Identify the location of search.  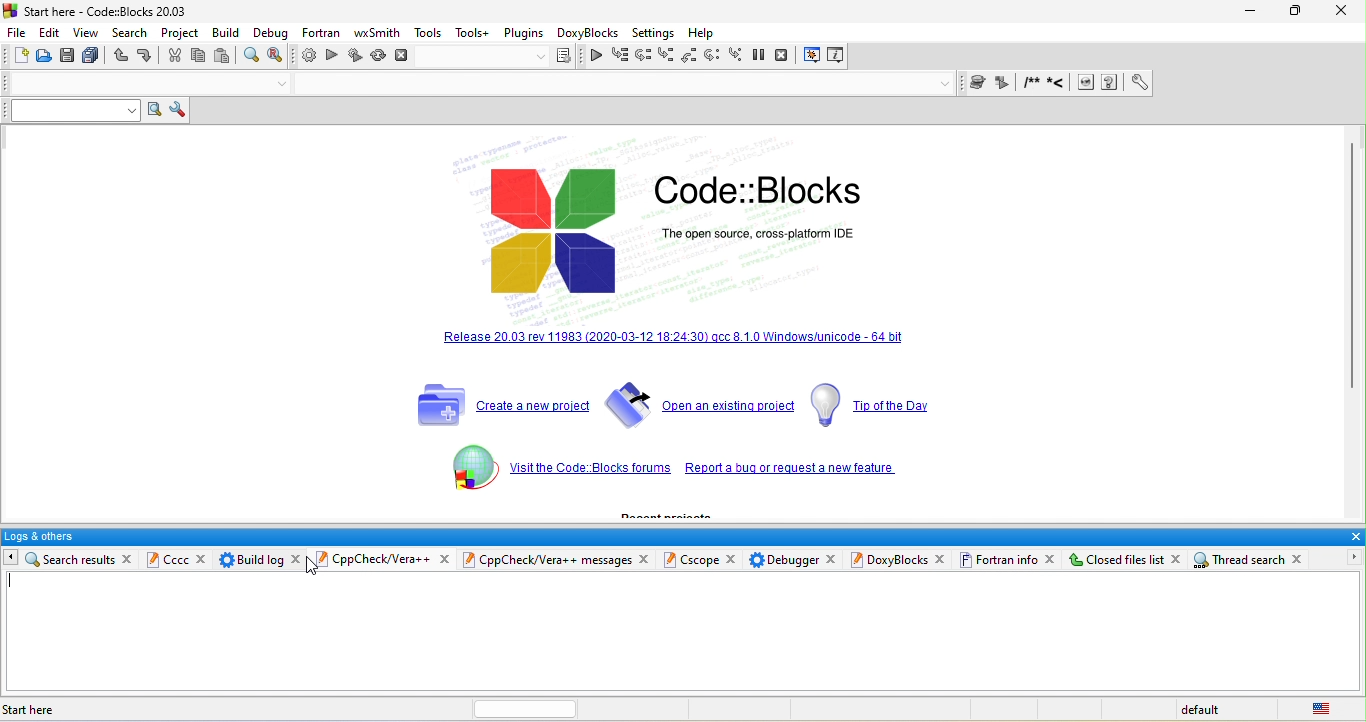
(133, 34).